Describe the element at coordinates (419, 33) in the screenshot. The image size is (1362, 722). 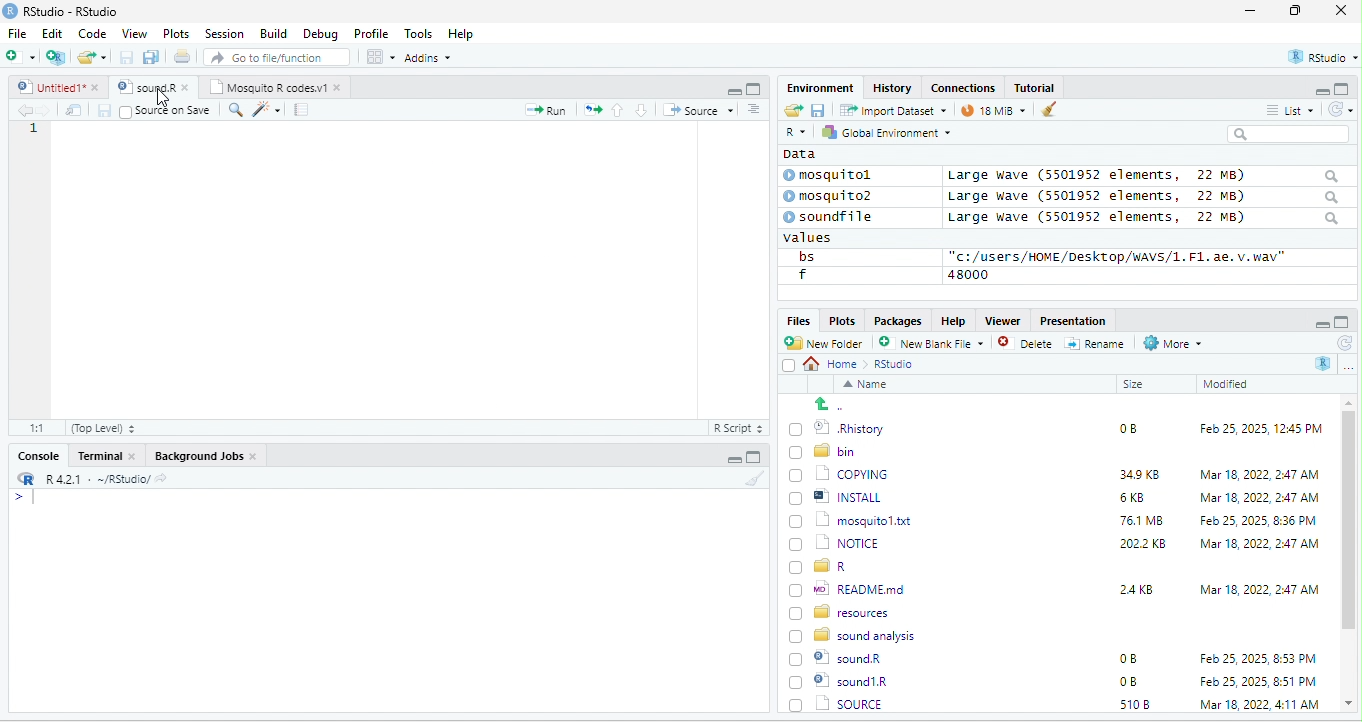
I see `Tools` at that location.